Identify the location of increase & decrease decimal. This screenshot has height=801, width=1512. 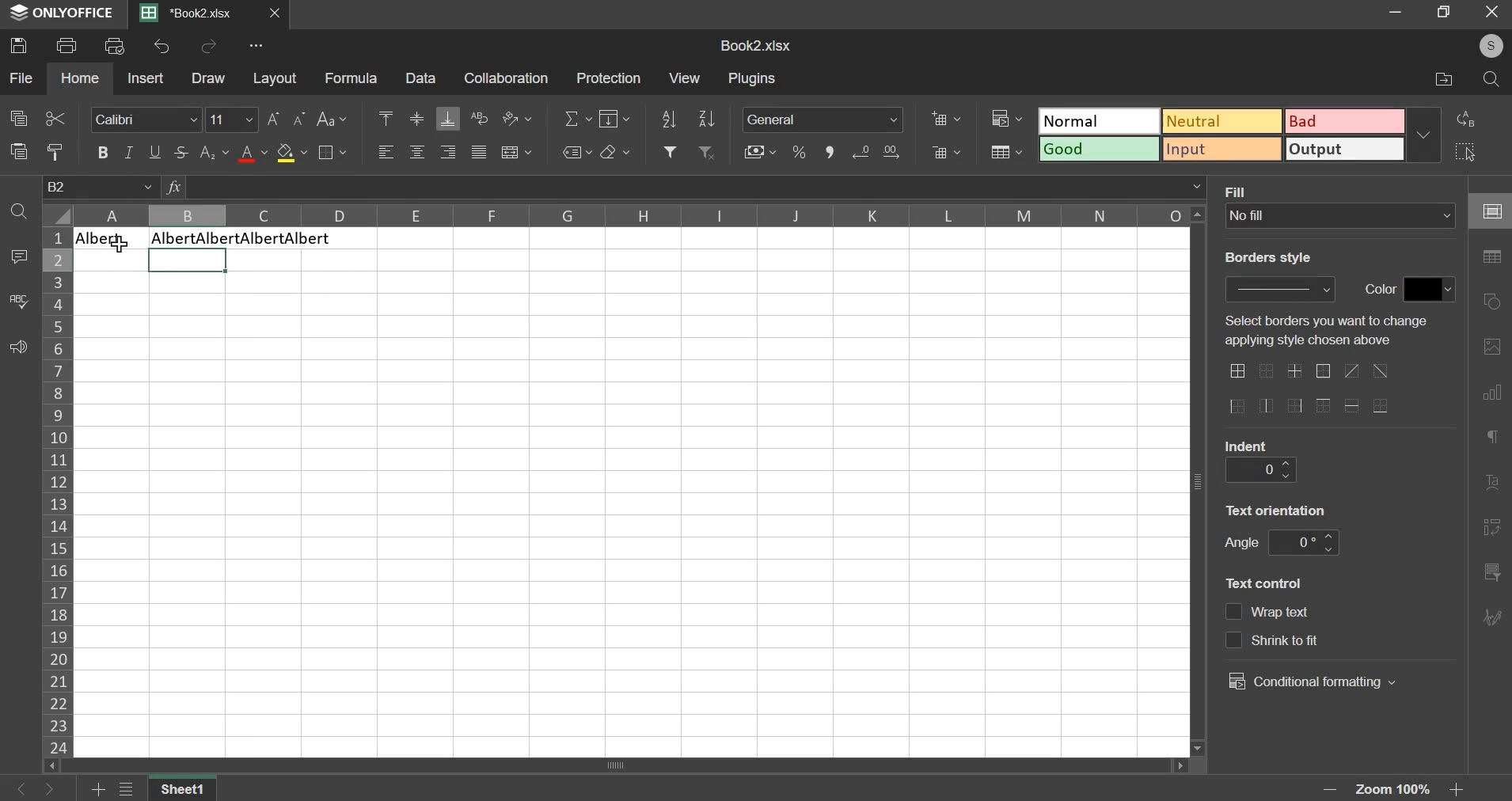
(876, 151).